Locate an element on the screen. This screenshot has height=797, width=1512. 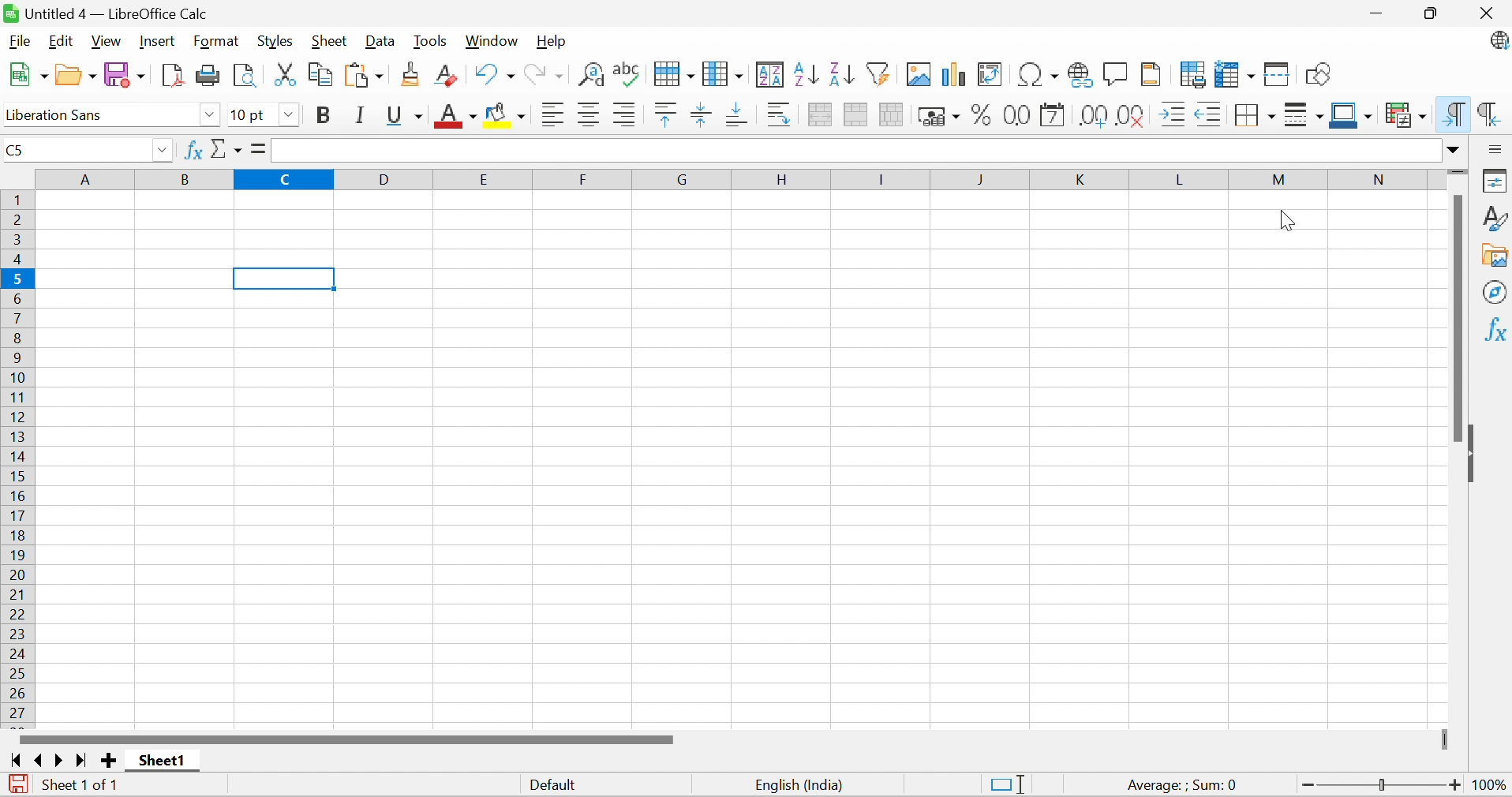
Drop down is located at coordinates (162, 152).